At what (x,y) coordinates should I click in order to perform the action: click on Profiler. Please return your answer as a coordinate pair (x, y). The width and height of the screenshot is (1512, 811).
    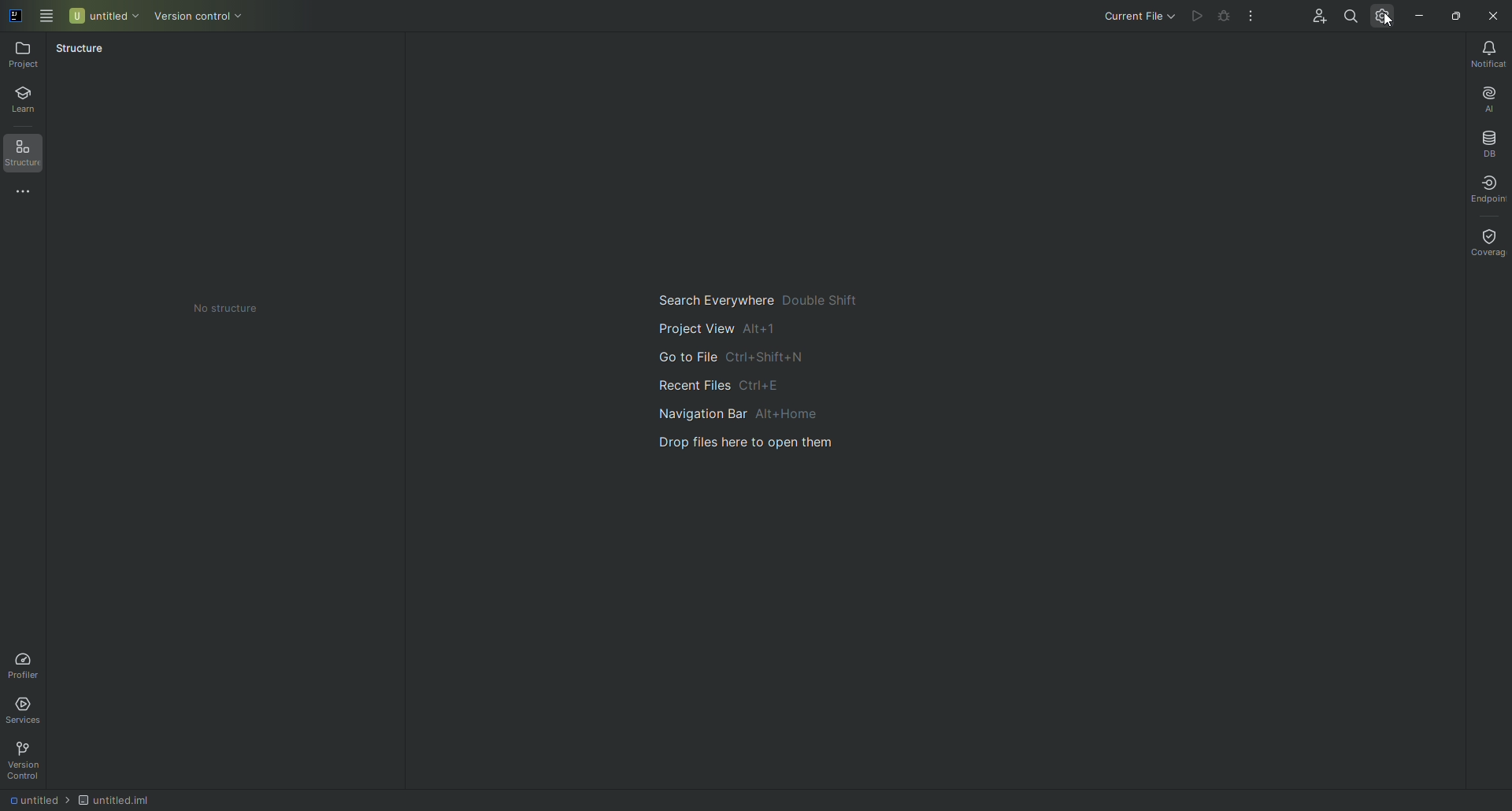
    Looking at the image, I should click on (26, 664).